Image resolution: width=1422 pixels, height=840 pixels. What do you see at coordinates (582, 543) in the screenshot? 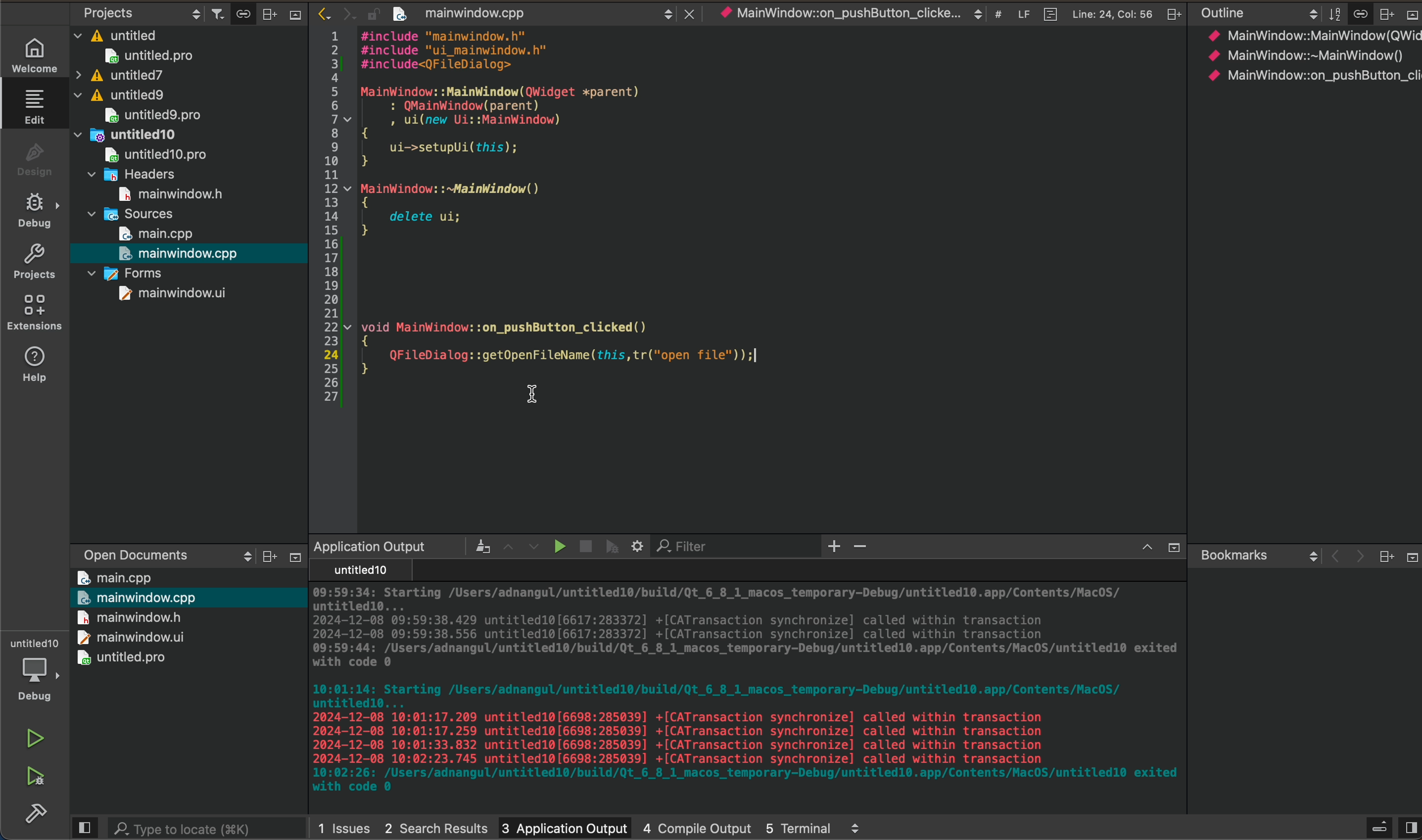
I see `stop` at bounding box center [582, 543].